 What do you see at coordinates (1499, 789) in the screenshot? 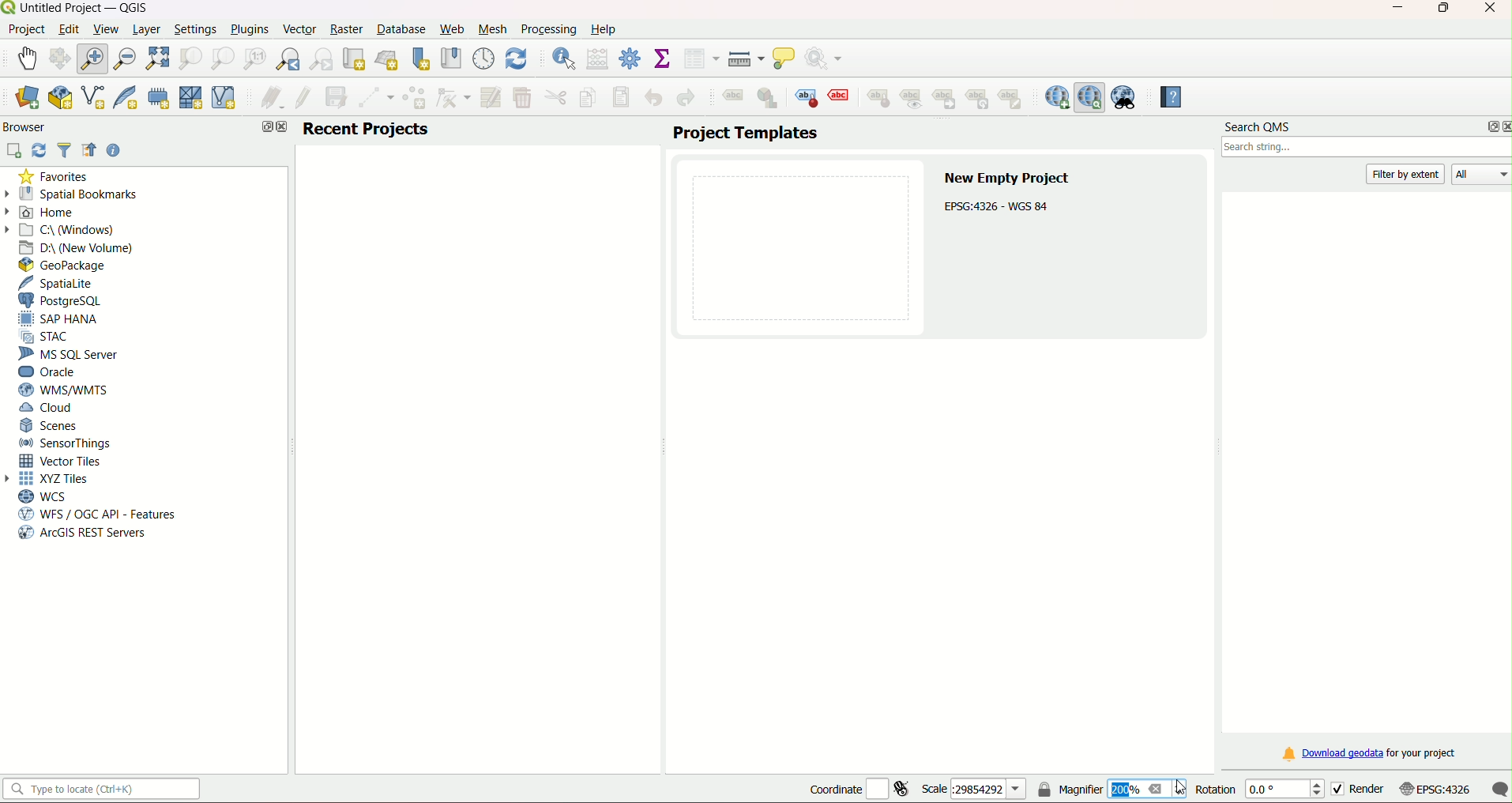
I see `comment` at bounding box center [1499, 789].